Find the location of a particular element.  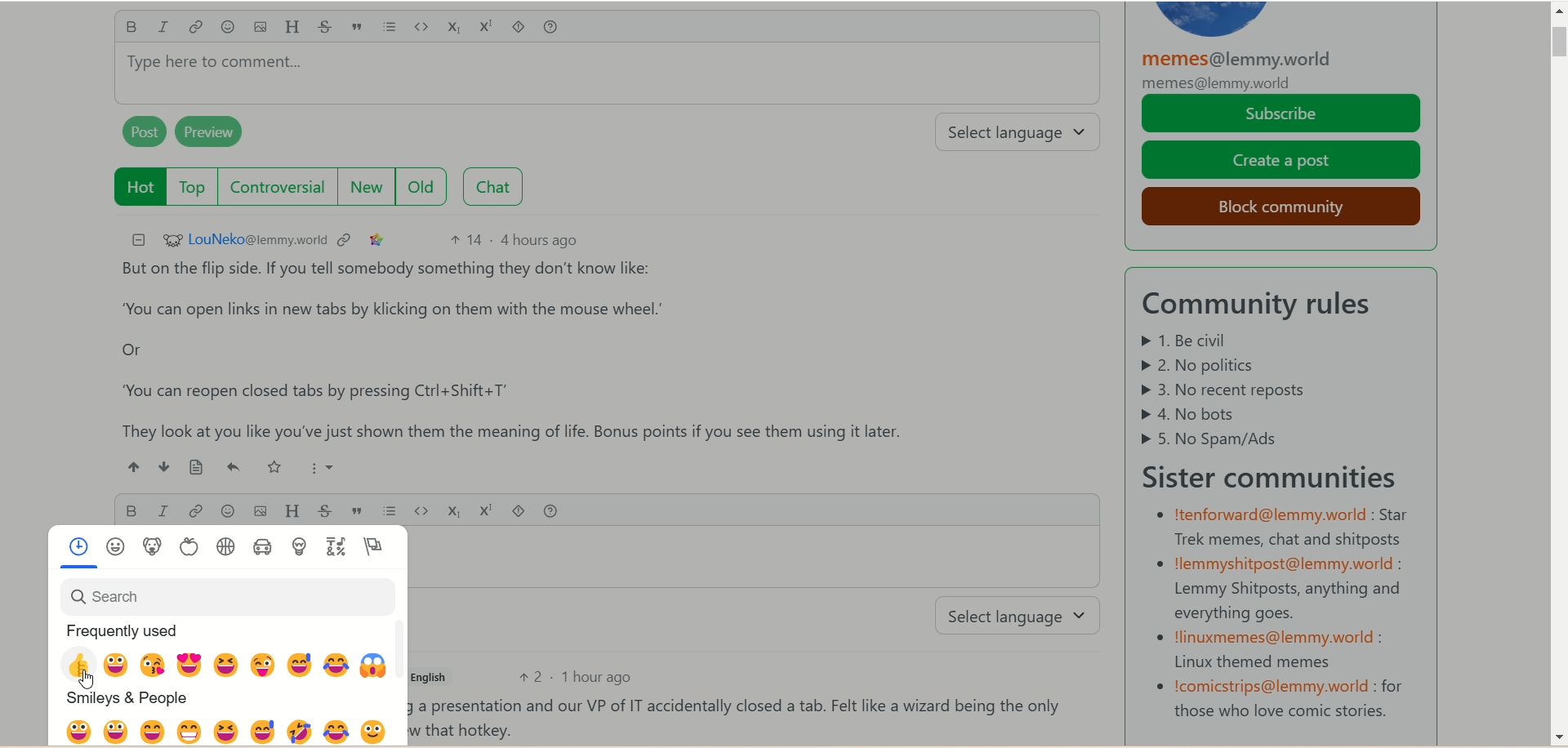

italics is located at coordinates (167, 28).